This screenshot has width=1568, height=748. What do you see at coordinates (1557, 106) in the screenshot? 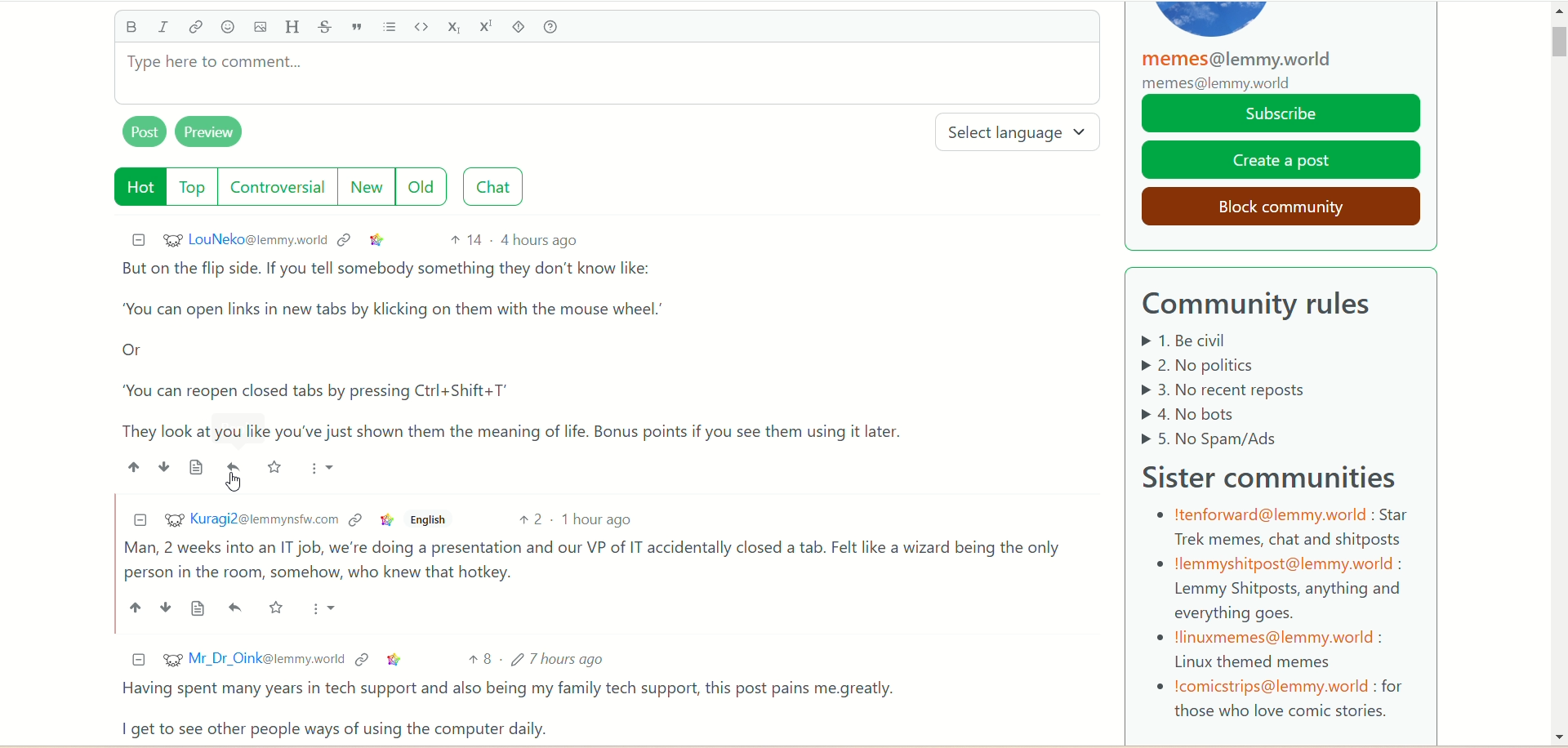
I see `scroll bar` at bounding box center [1557, 106].